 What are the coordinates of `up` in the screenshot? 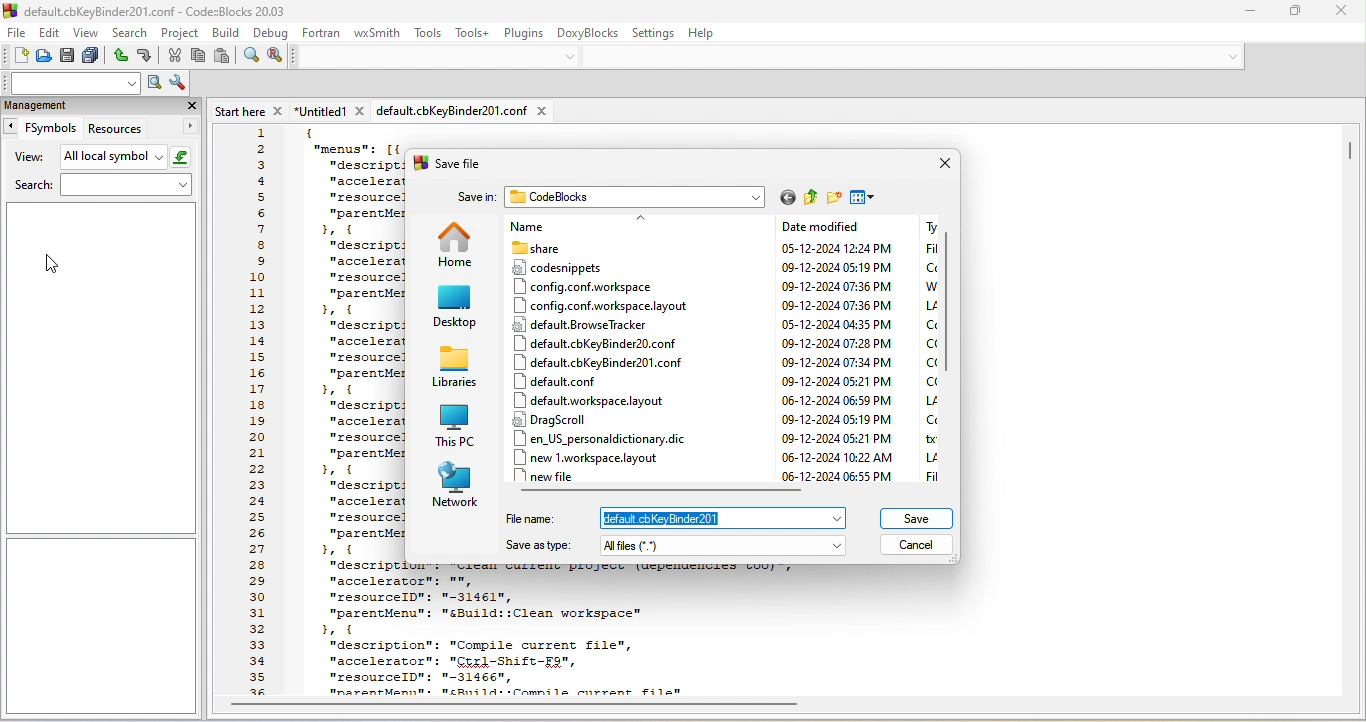 It's located at (643, 218).